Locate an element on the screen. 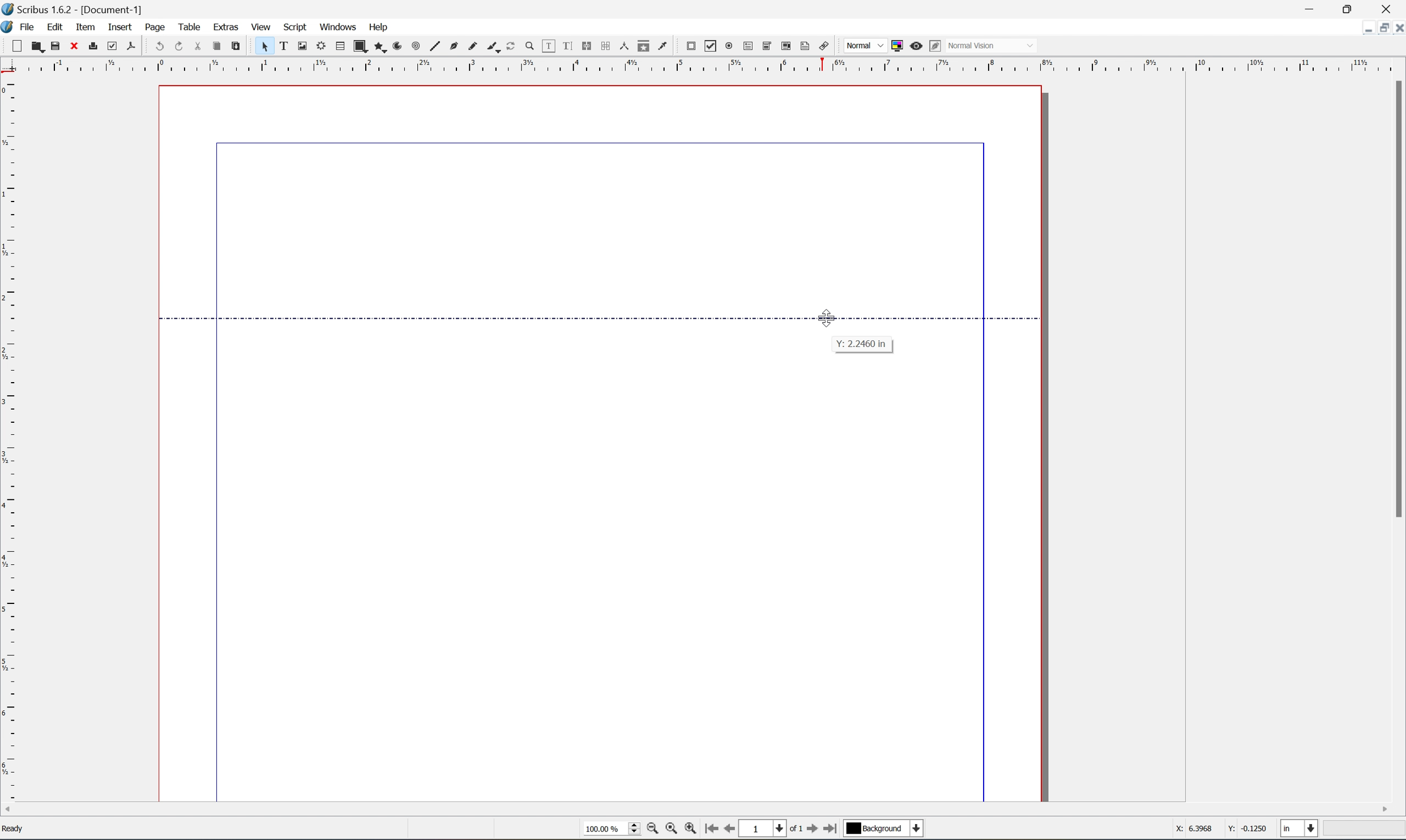 This screenshot has width=1406, height=840. 1 of 1 is located at coordinates (771, 829).